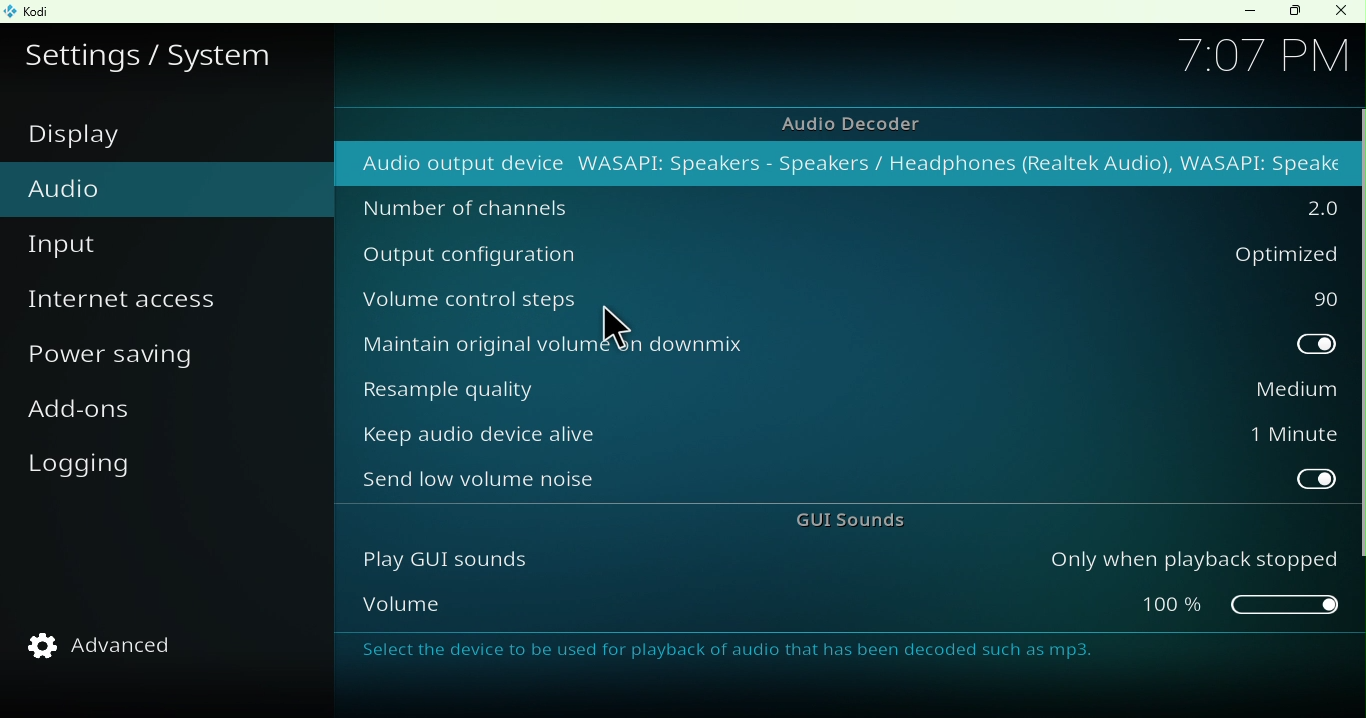 The image size is (1366, 718). What do you see at coordinates (725, 480) in the screenshot?
I see `Send low volume noise` at bounding box center [725, 480].